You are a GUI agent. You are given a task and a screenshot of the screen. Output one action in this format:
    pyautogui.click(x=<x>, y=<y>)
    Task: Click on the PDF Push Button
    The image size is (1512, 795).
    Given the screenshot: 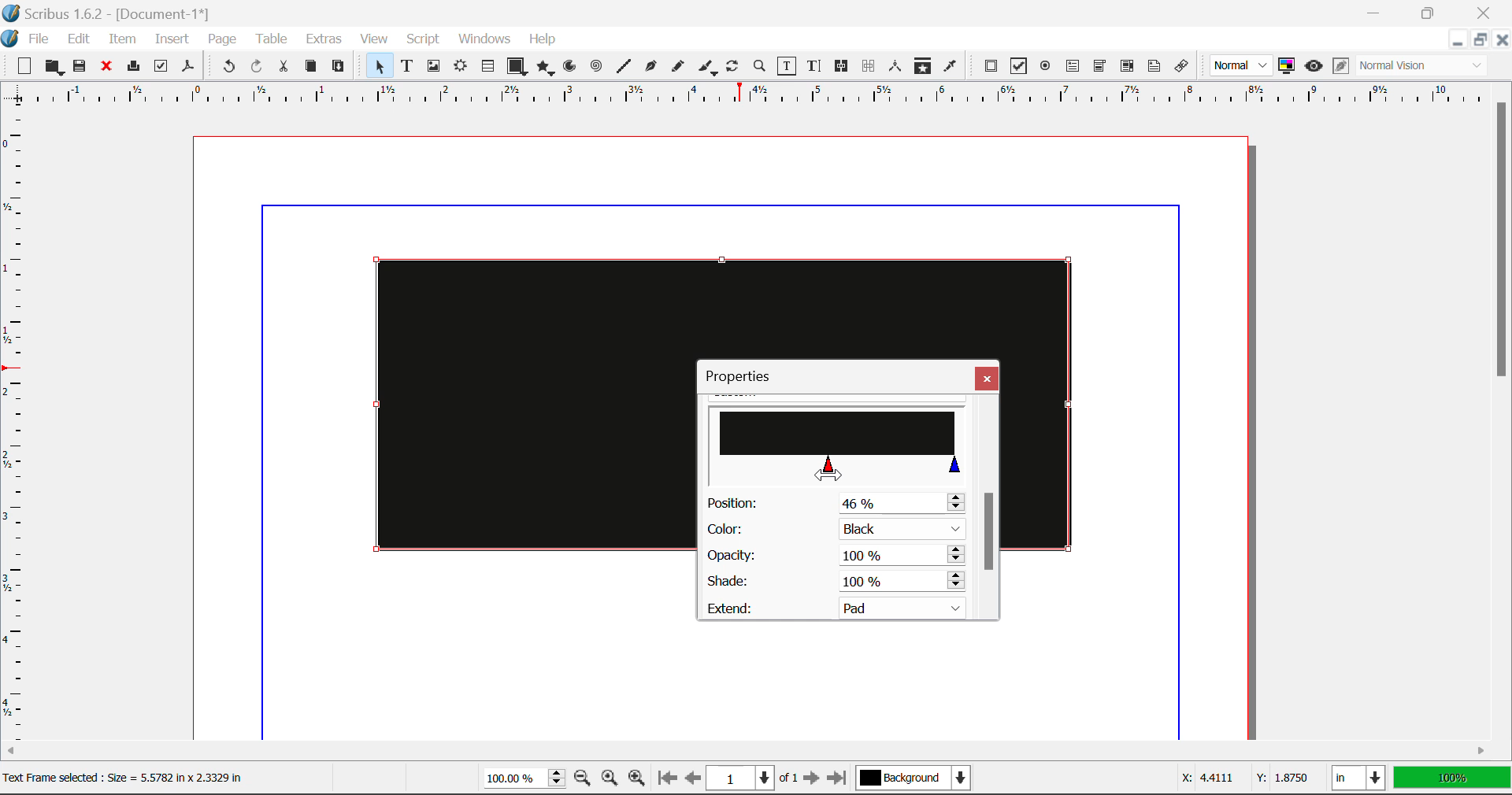 What is the action you would take?
    pyautogui.click(x=991, y=65)
    